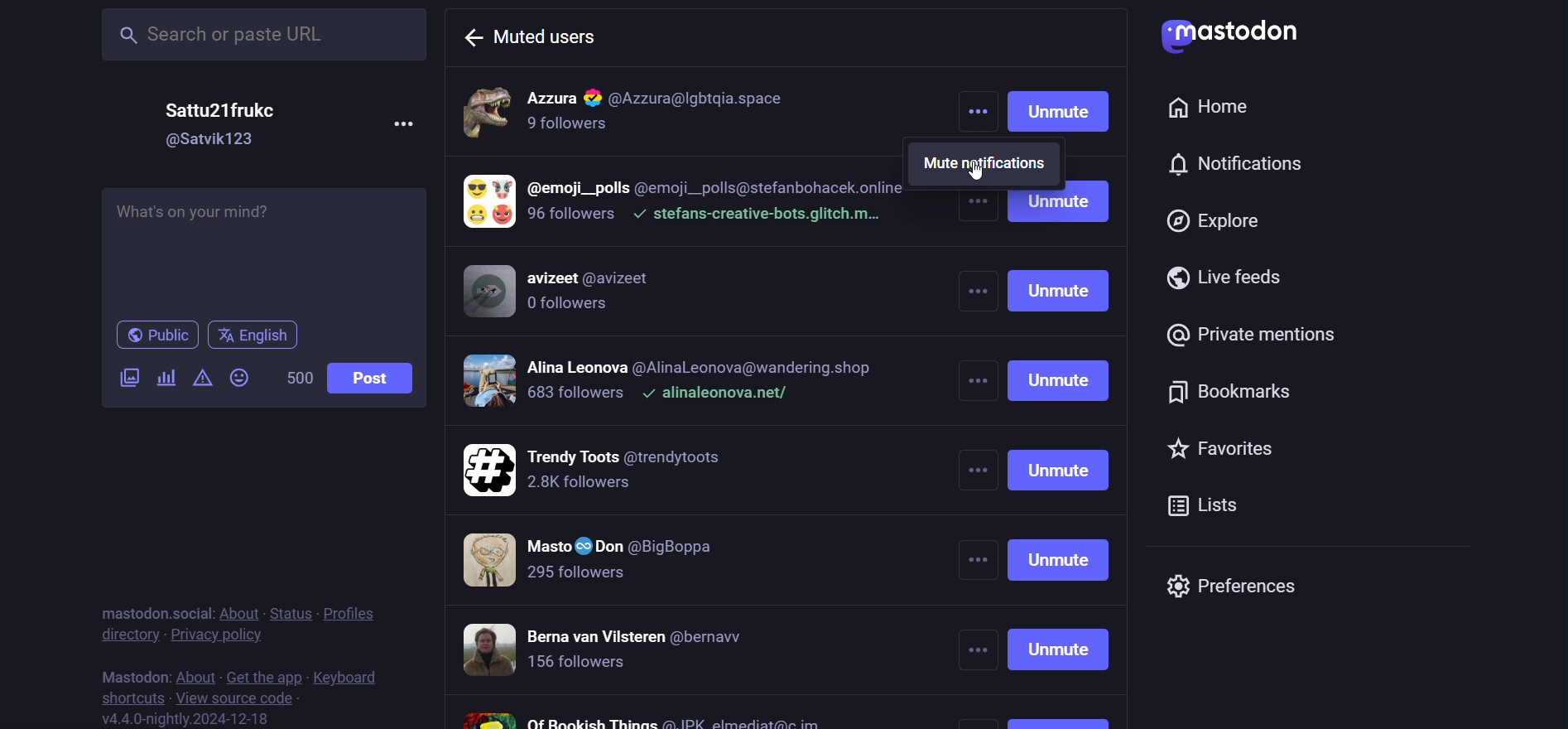  Describe the element at coordinates (1210, 107) in the screenshot. I see `home` at that location.